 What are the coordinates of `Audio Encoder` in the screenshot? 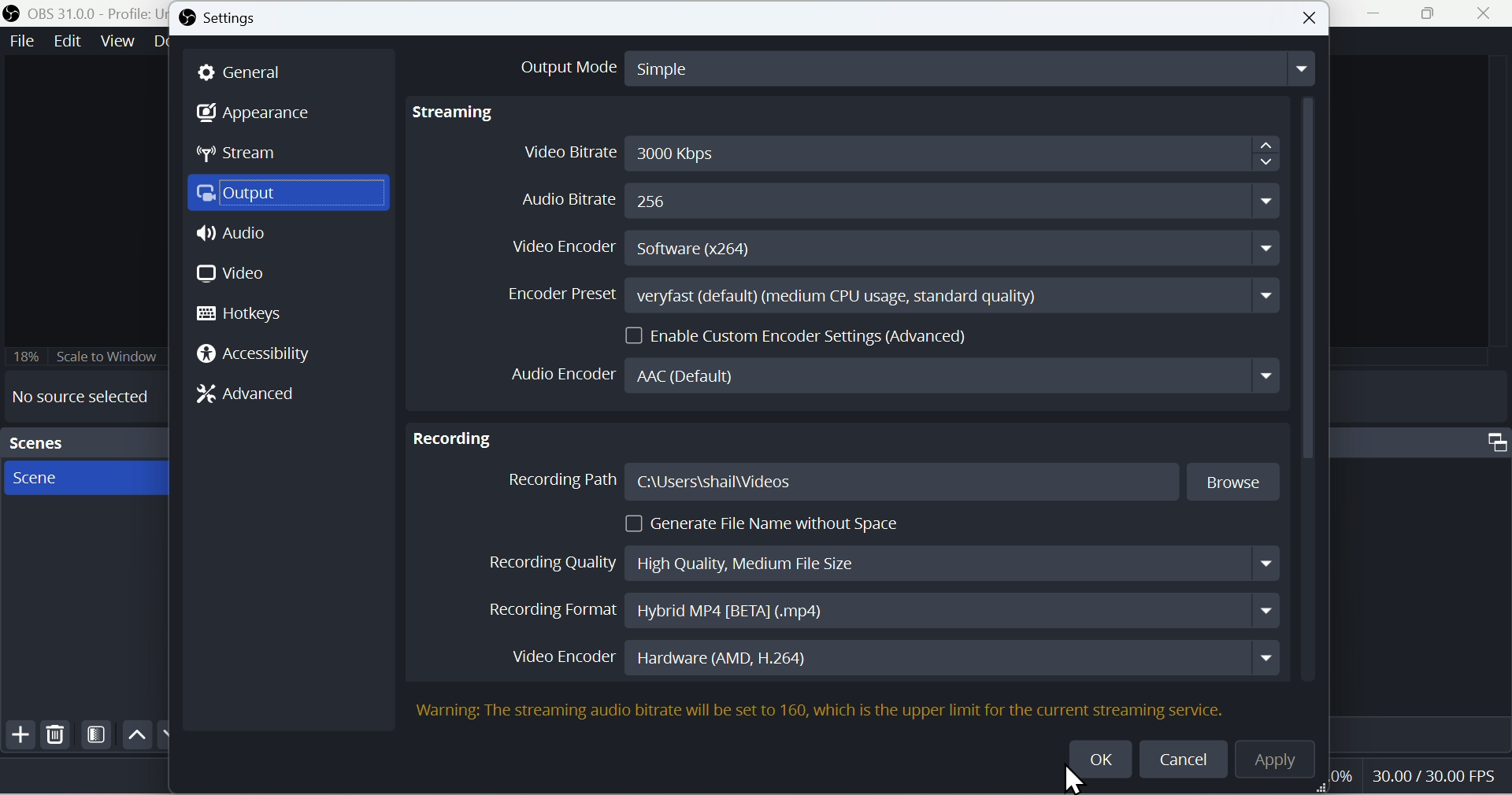 It's located at (900, 703).